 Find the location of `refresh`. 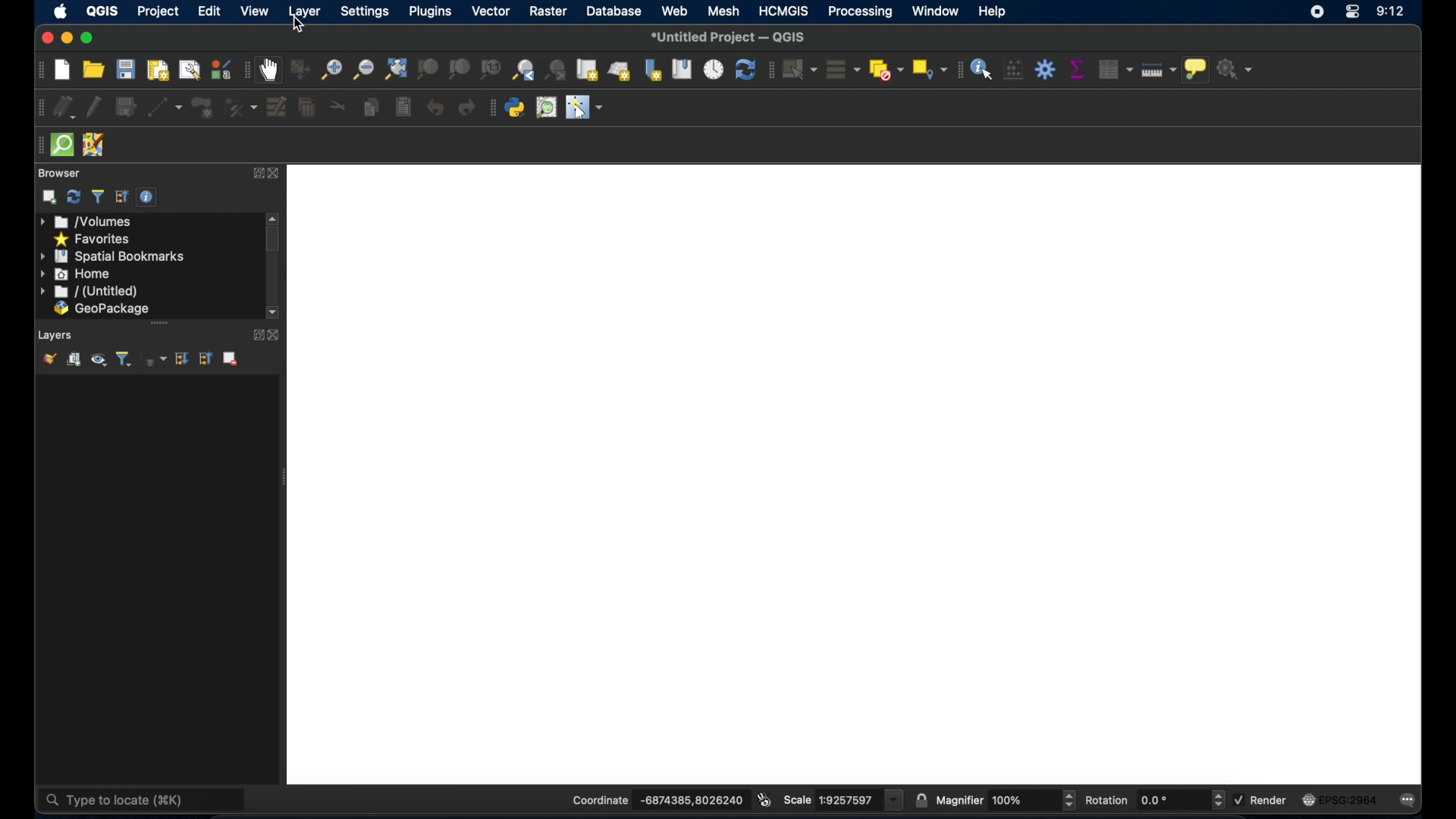

refresh is located at coordinates (74, 197).